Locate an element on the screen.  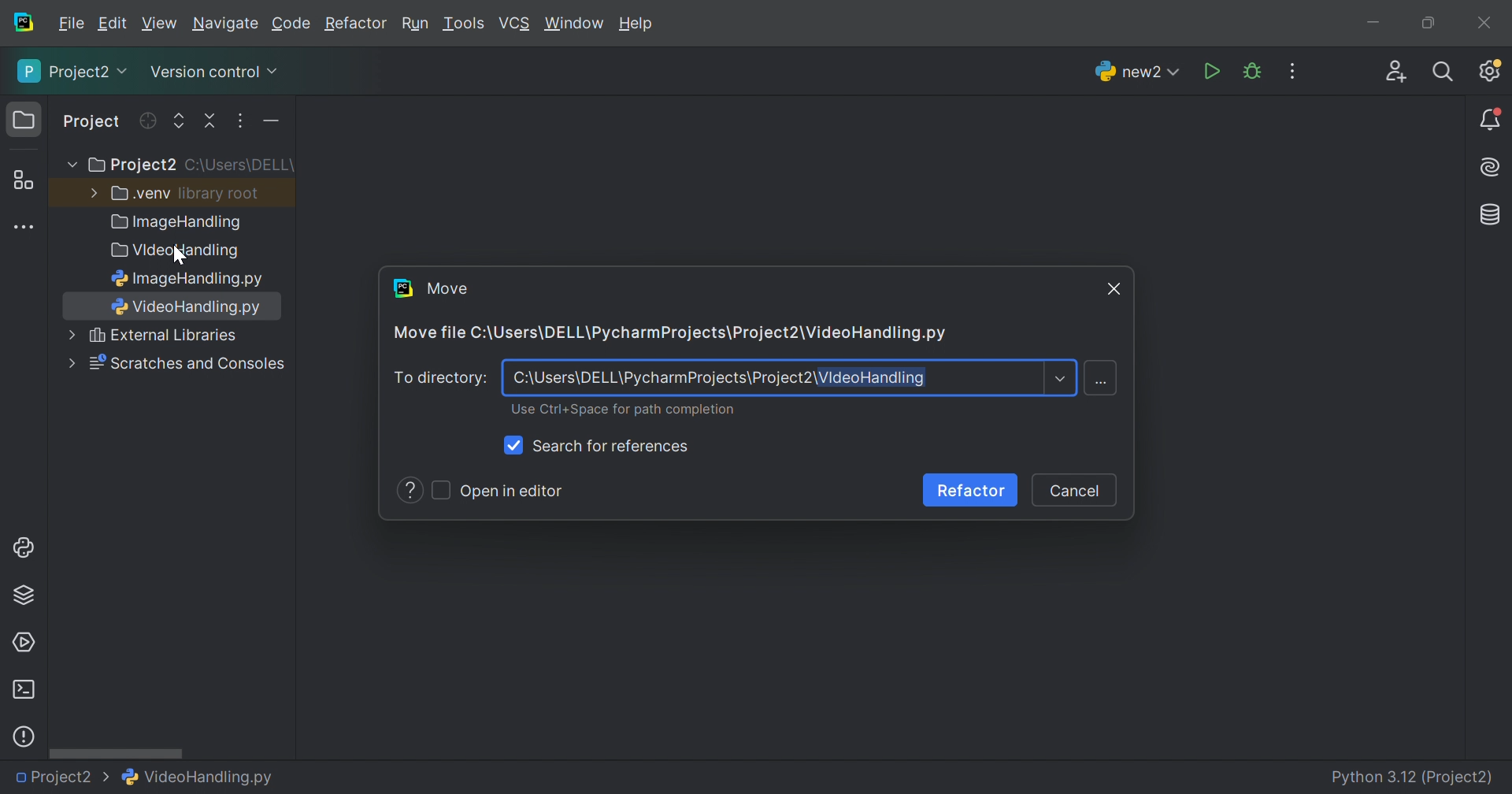
Code is located at coordinates (294, 24).